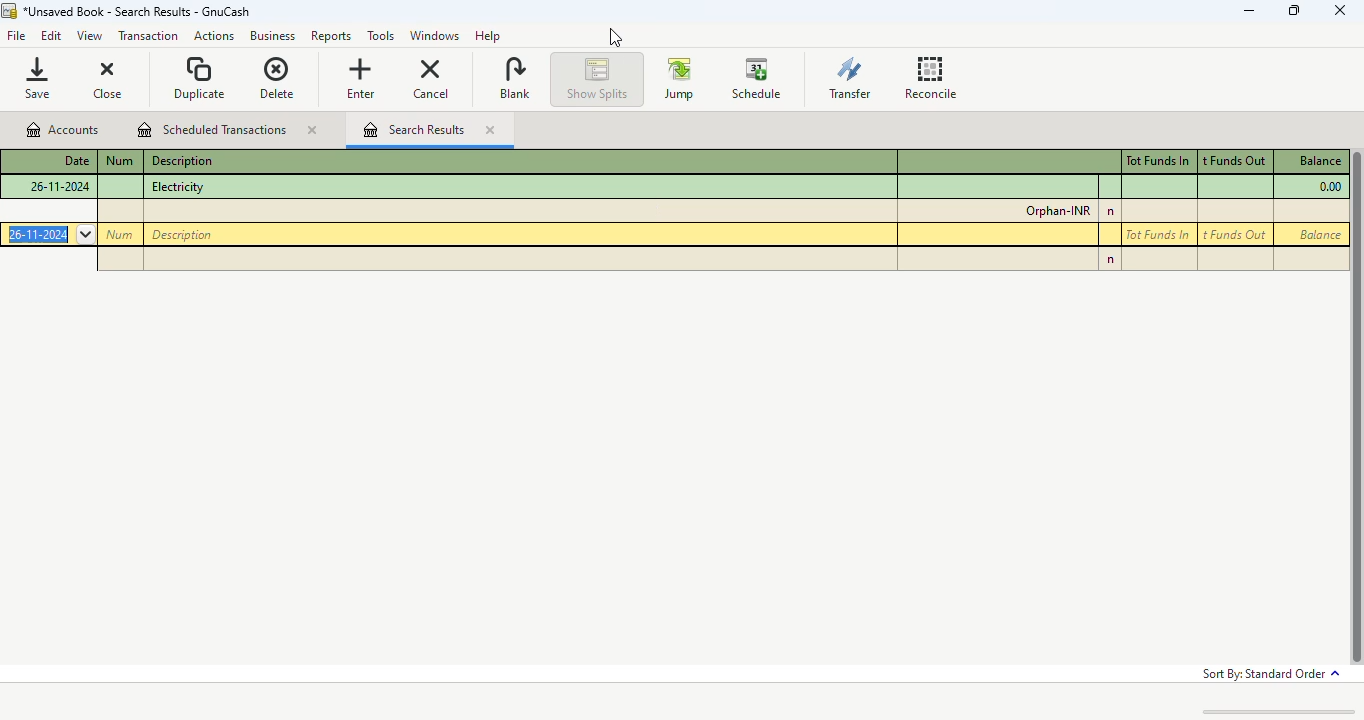 The width and height of the screenshot is (1364, 720). Describe the element at coordinates (1341, 10) in the screenshot. I see `close` at that location.